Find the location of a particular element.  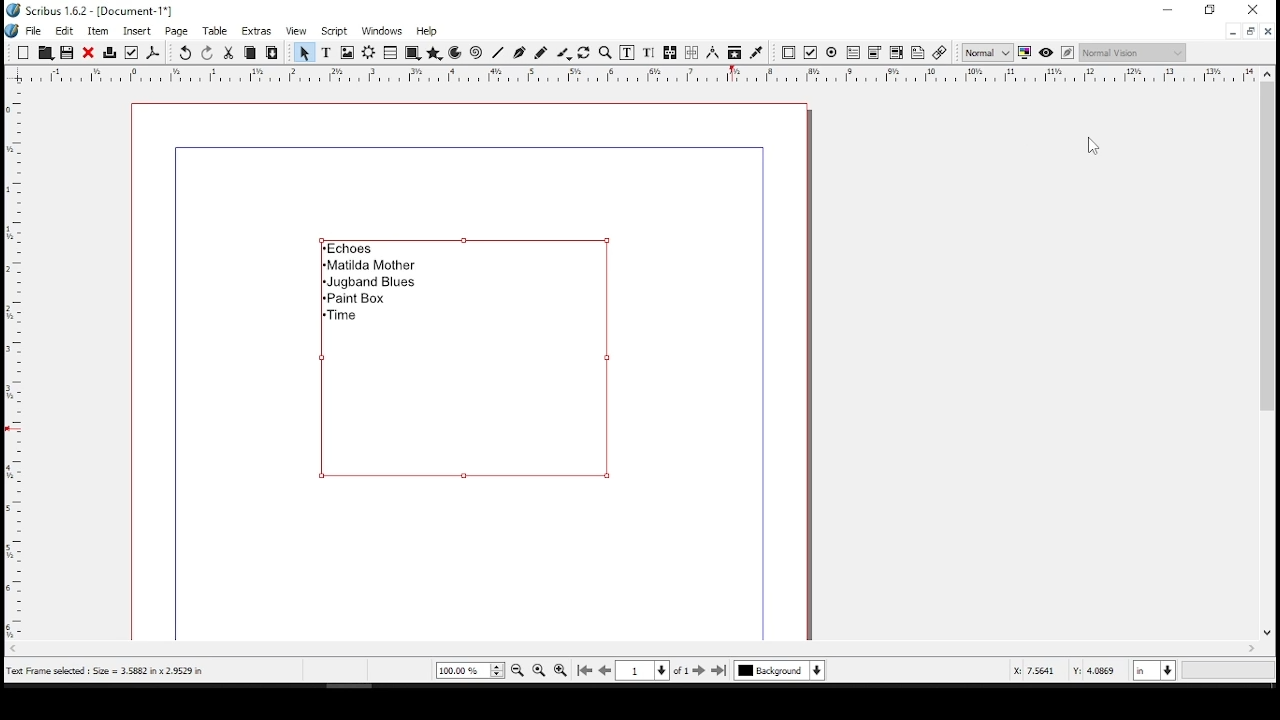

pdf text field is located at coordinates (853, 53).